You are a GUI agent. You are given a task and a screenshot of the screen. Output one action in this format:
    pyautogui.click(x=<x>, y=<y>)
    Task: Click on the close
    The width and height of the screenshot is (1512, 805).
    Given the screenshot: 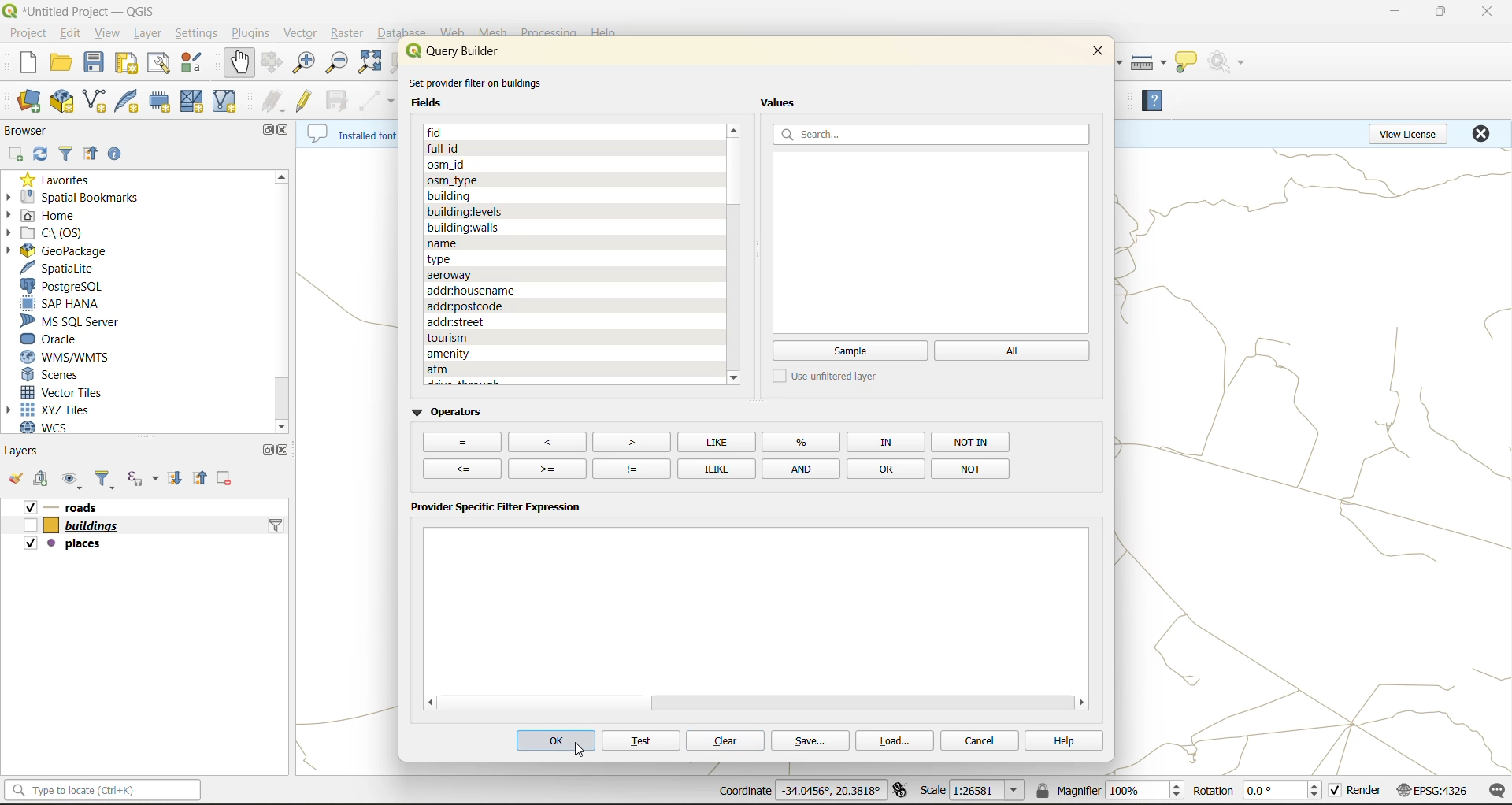 What is the action you would take?
    pyautogui.click(x=287, y=129)
    